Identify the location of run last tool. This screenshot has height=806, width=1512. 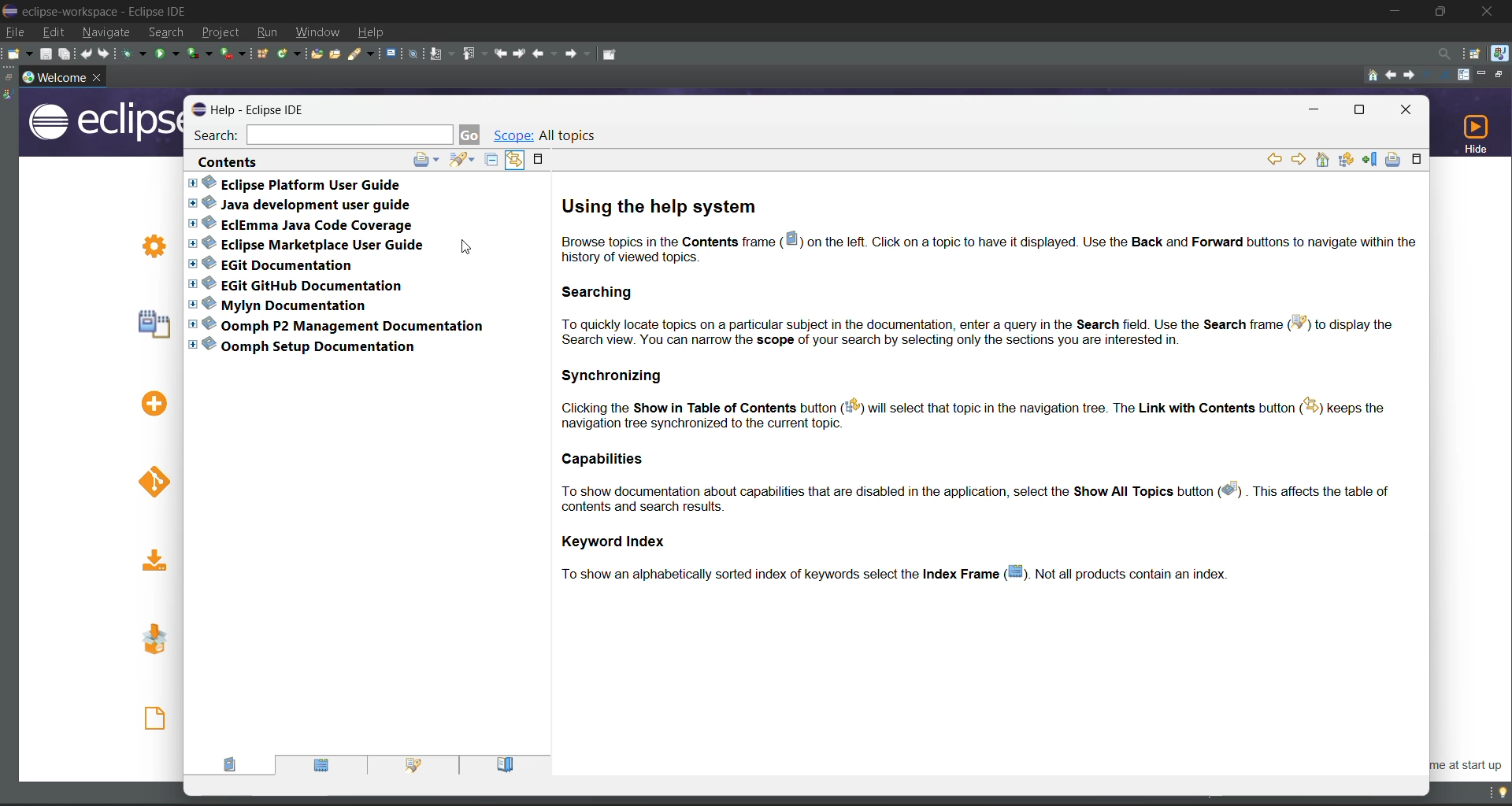
(233, 54).